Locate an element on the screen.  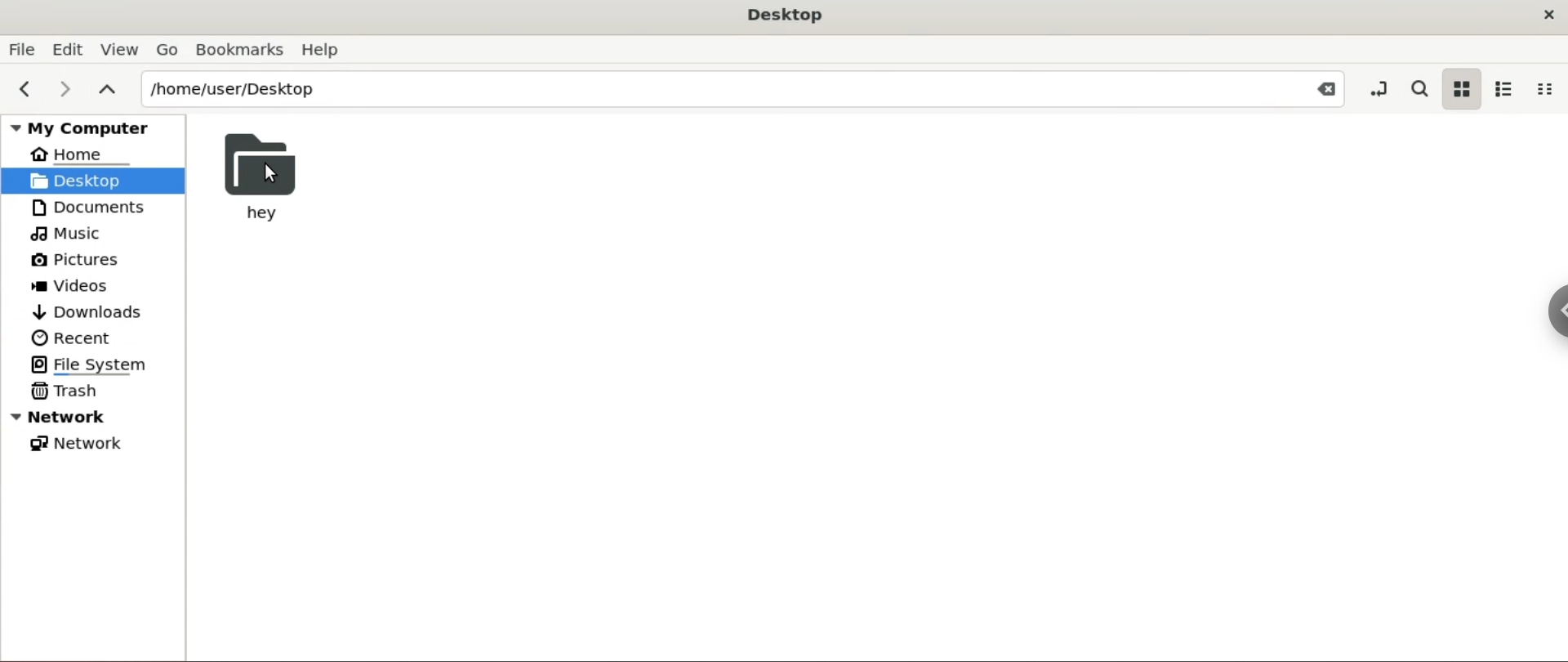
Sidebar is located at coordinates (1548, 326).